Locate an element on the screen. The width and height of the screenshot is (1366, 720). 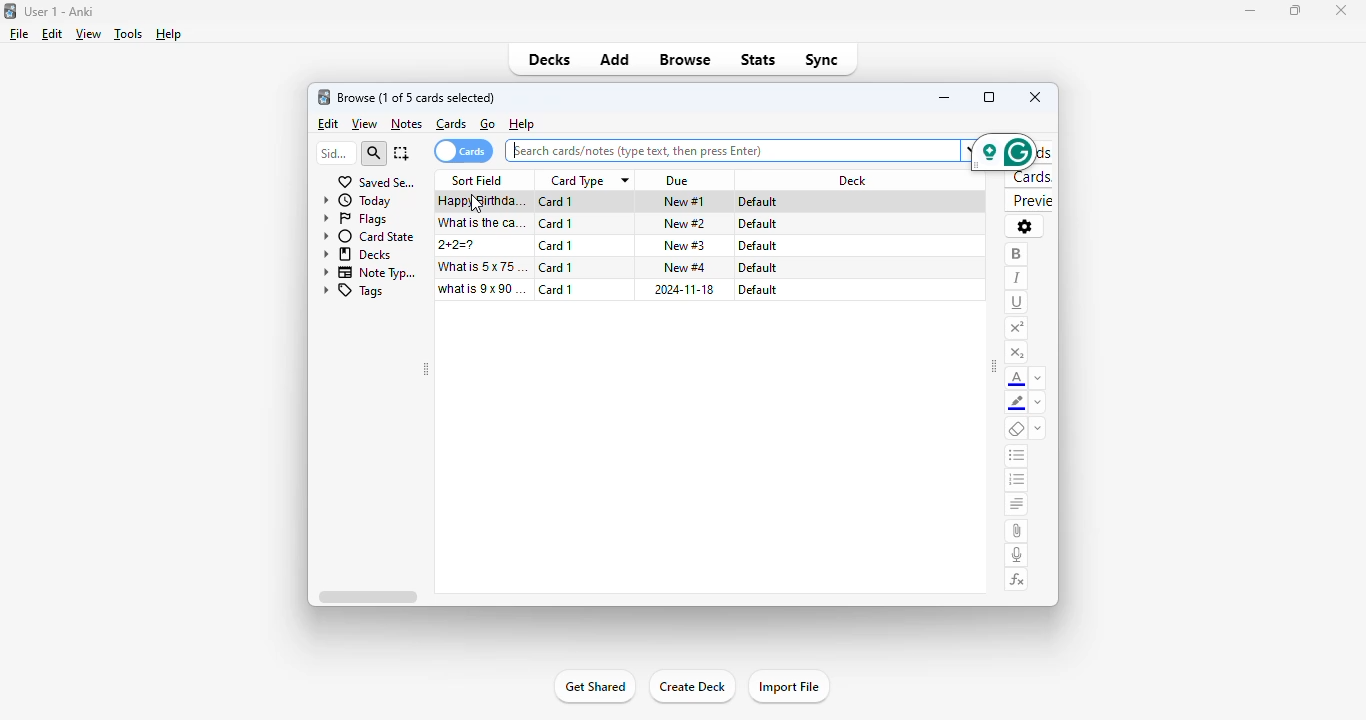
new #1 is located at coordinates (684, 201).